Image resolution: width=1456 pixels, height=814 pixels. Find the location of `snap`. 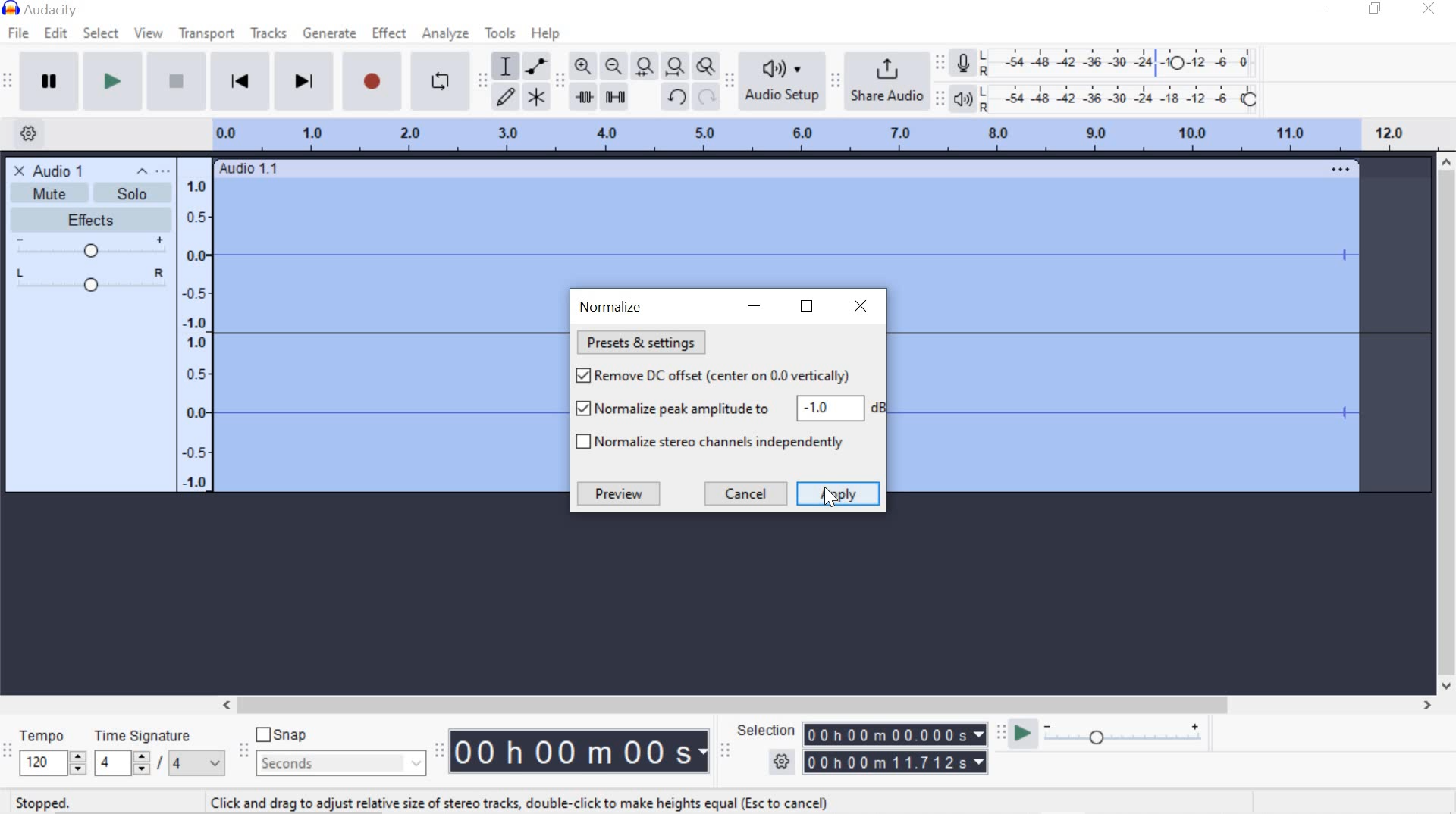

snap is located at coordinates (287, 736).